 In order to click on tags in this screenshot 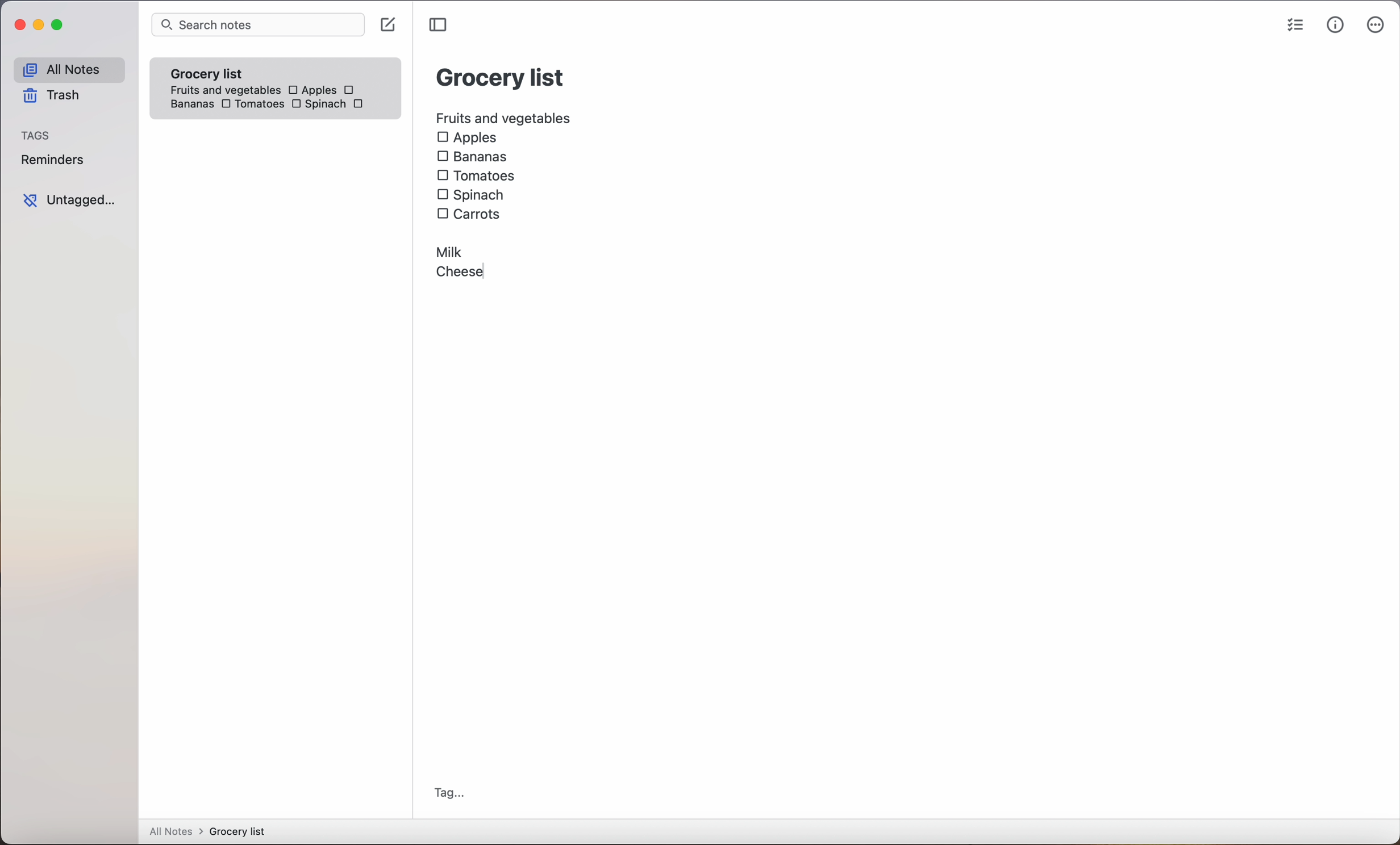, I will do `click(37, 136)`.